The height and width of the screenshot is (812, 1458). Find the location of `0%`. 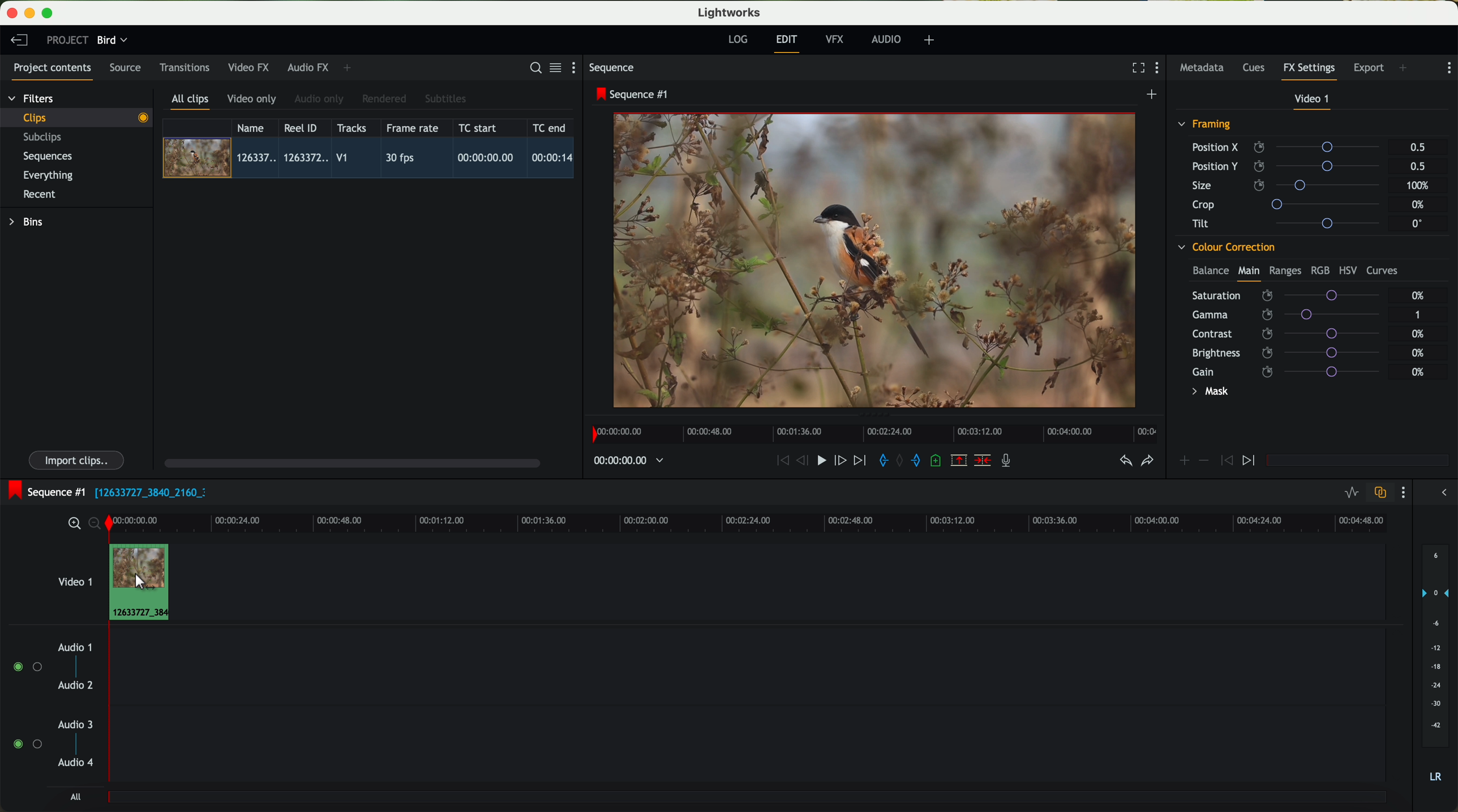

0% is located at coordinates (1418, 372).